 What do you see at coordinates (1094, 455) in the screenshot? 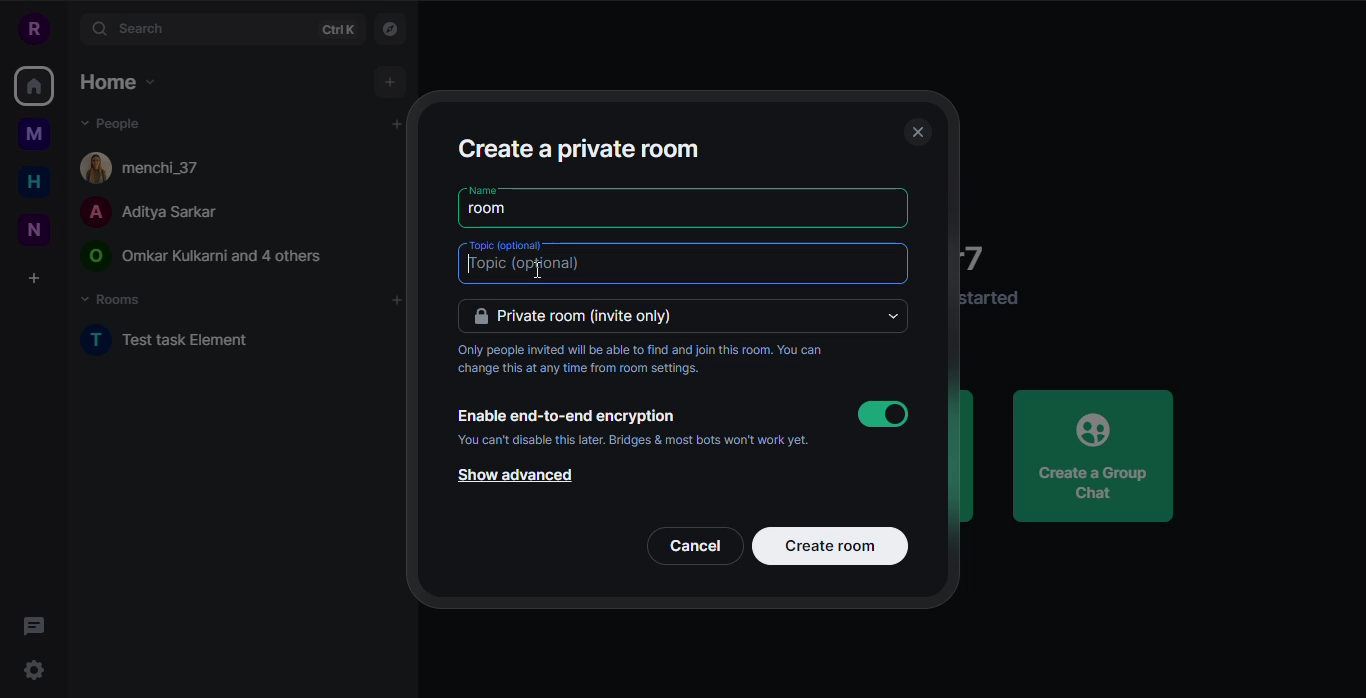
I see `create a group chat` at bounding box center [1094, 455].